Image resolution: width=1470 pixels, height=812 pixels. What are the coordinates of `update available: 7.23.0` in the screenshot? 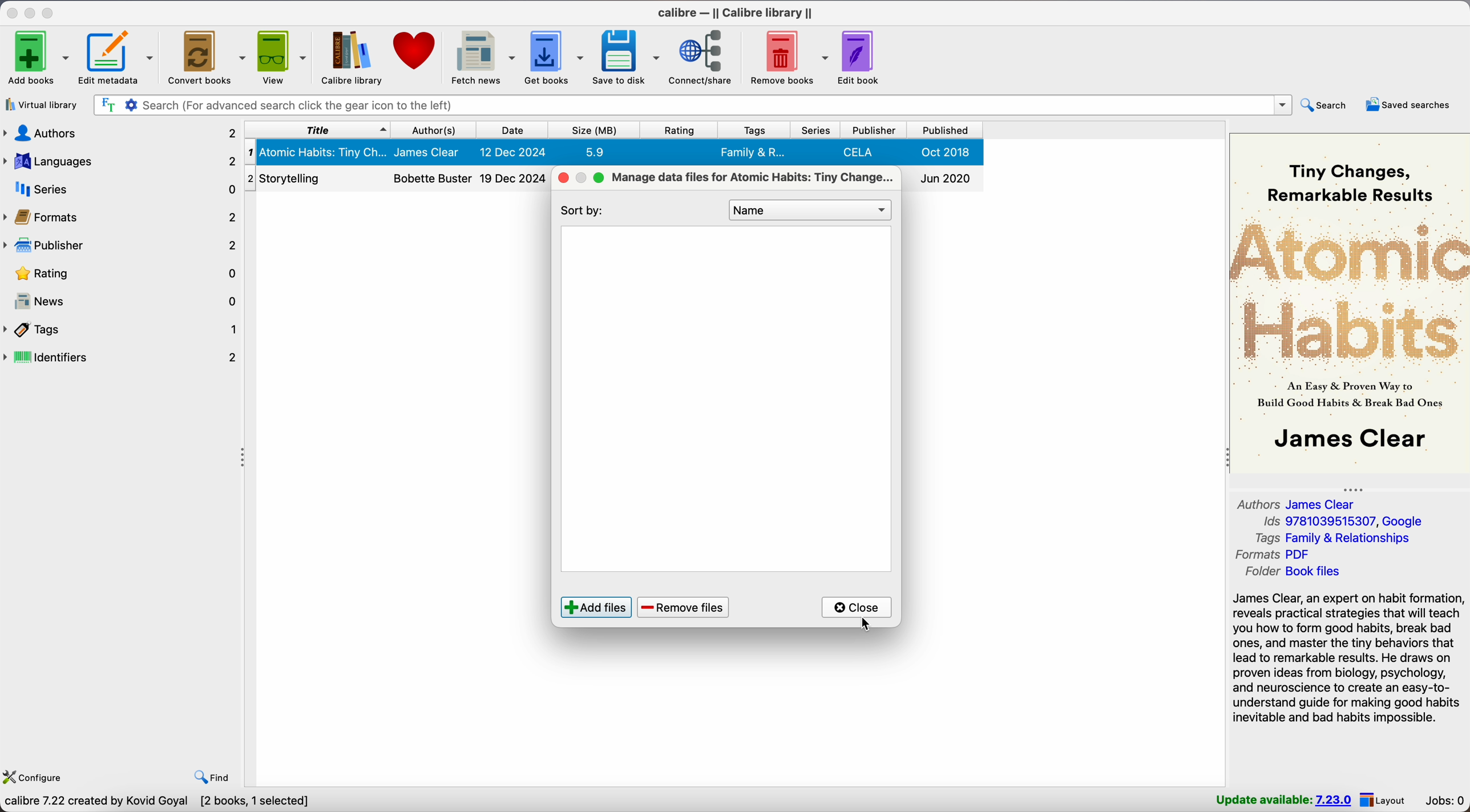 It's located at (1283, 800).